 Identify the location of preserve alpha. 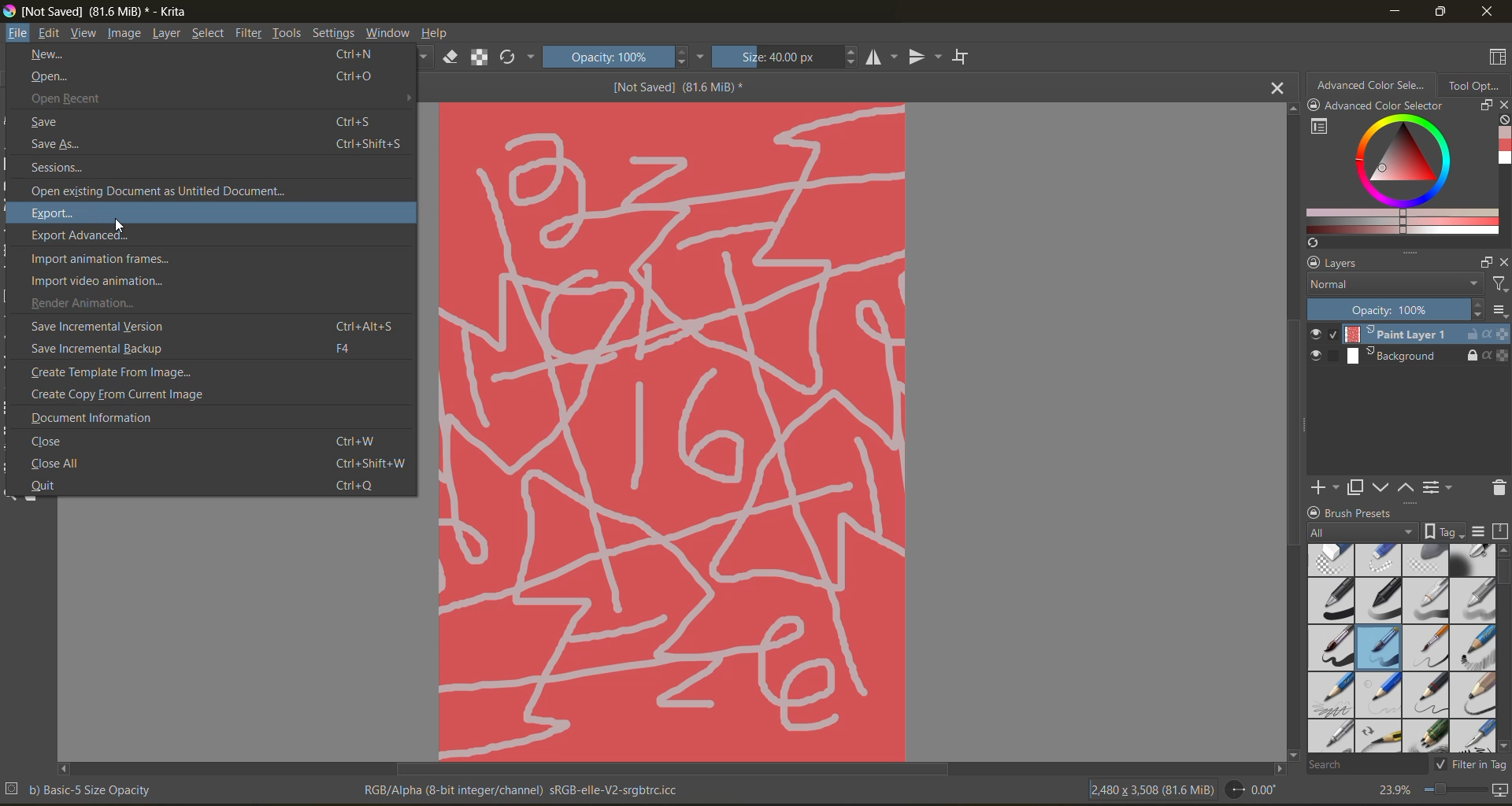
(480, 59).